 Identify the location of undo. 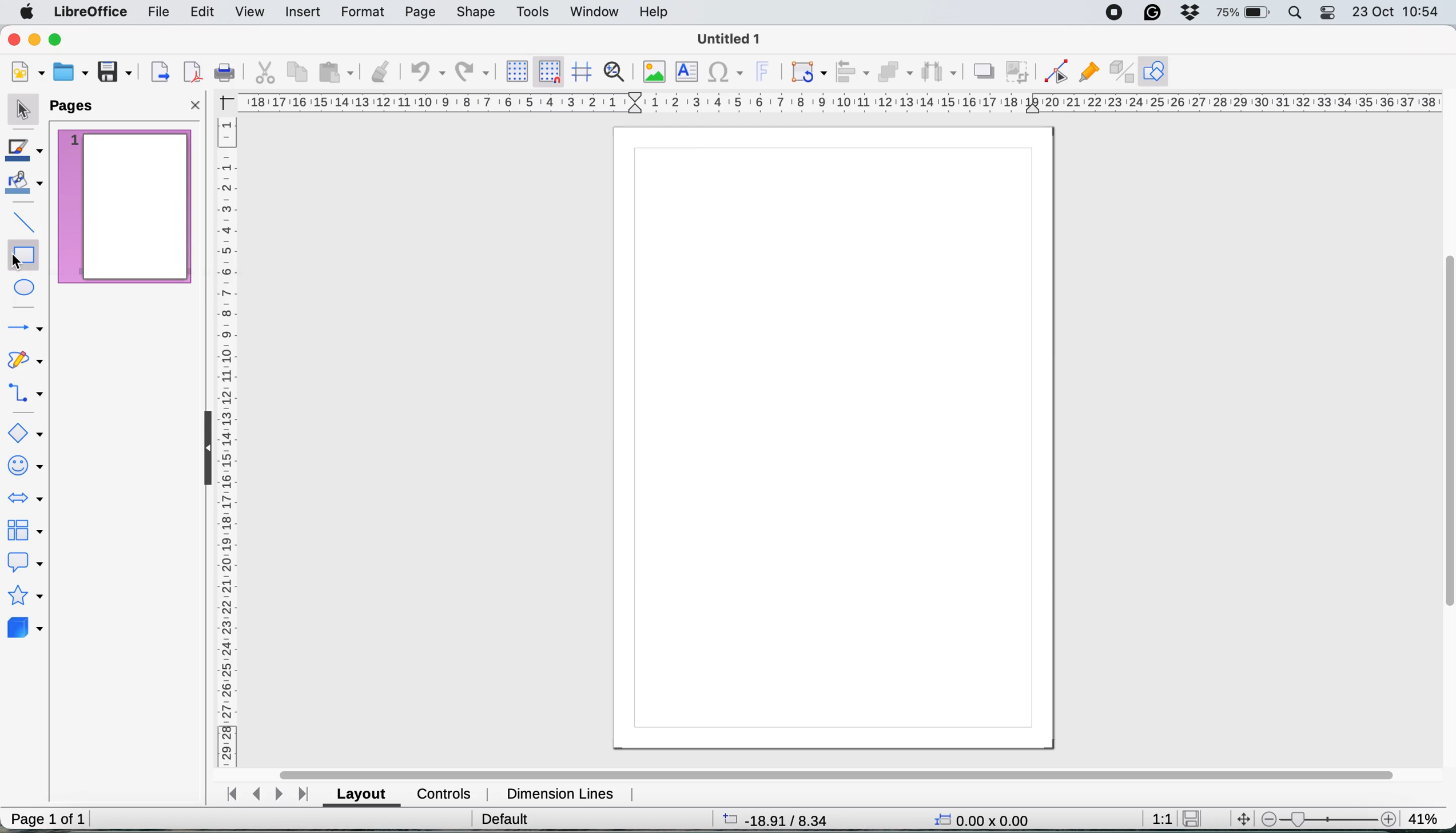
(426, 73).